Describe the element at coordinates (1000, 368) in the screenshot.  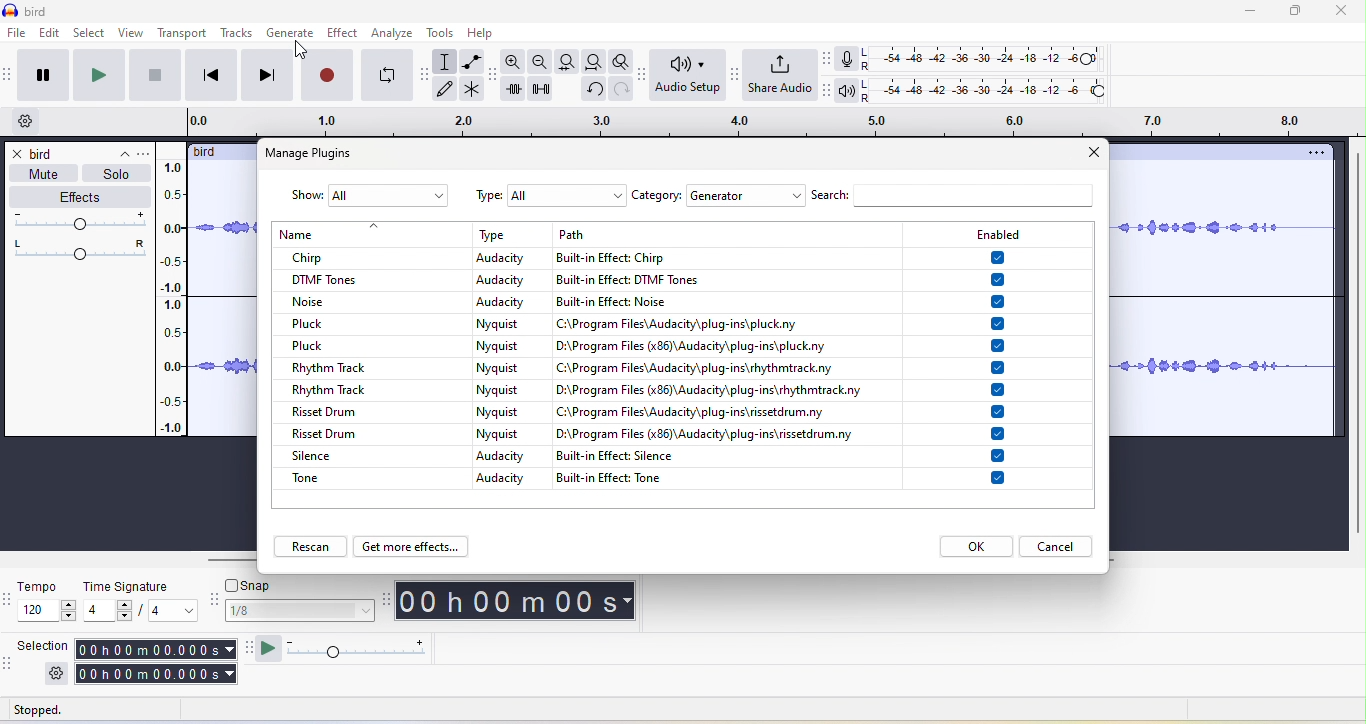
I see `enable` at that location.